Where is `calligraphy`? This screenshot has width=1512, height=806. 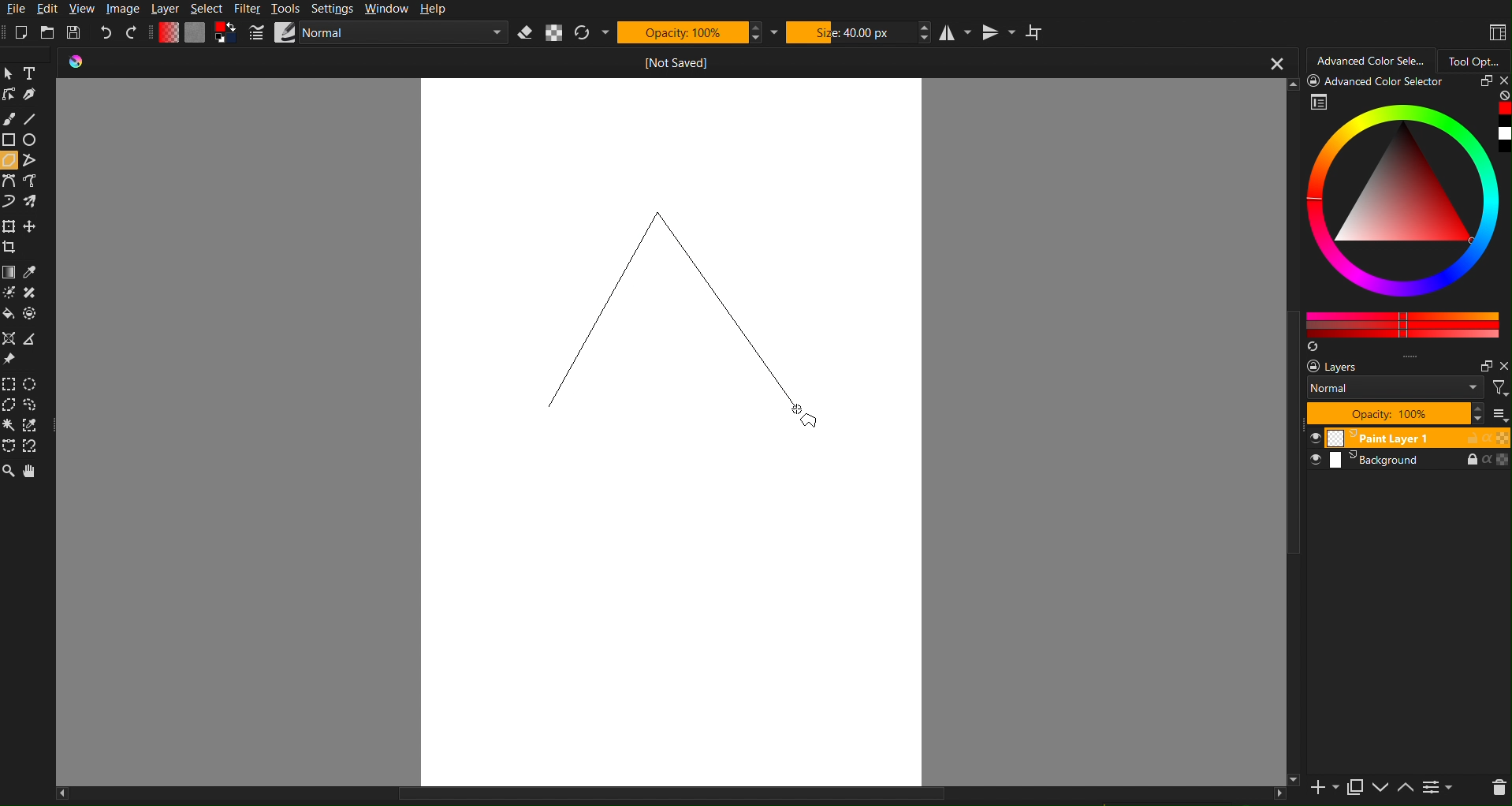 calligraphy is located at coordinates (34, 94).